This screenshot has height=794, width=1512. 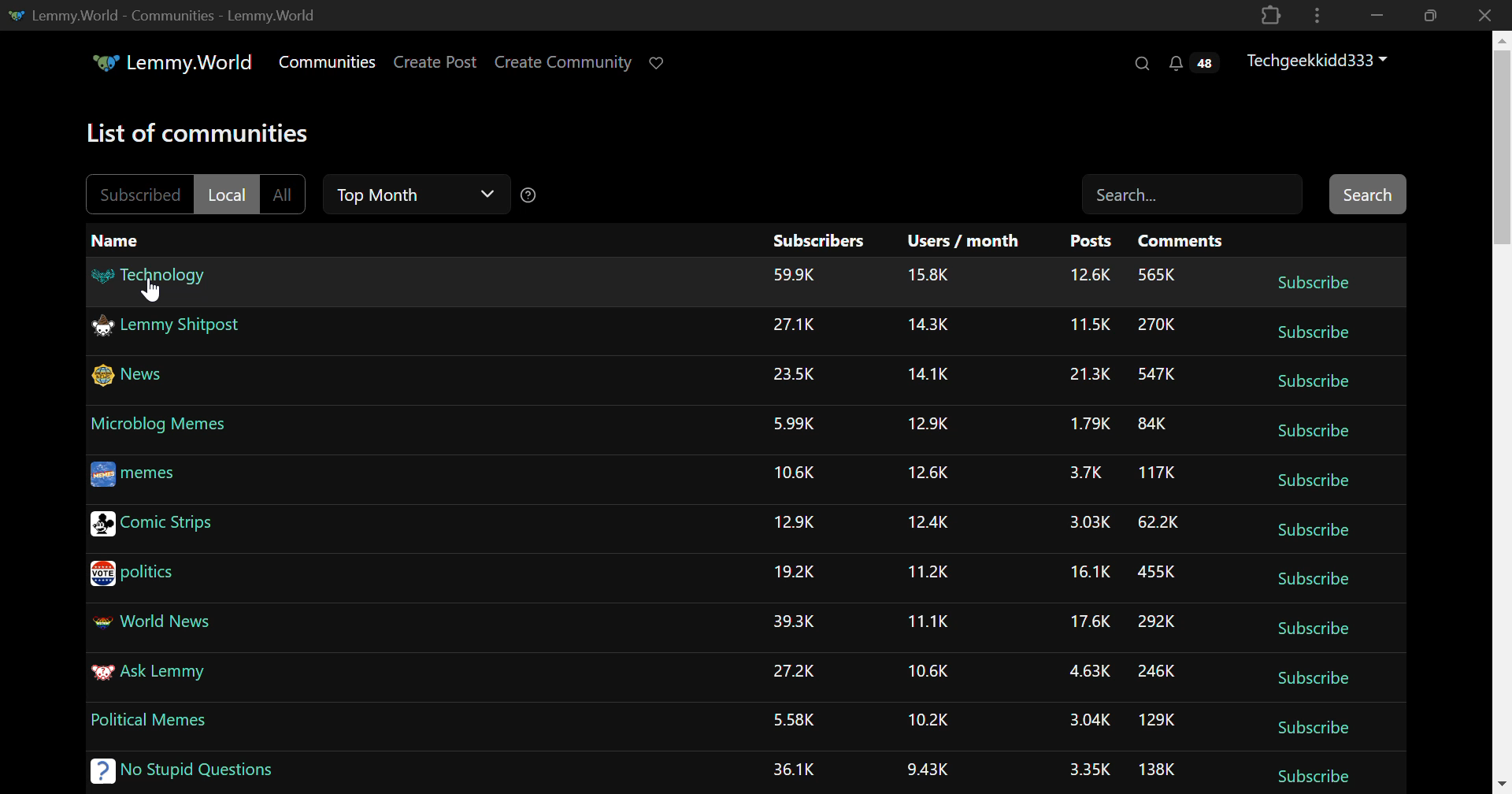 What do you see at coordinates (1310, 731) in the screenshot?
I see `Subscribe` at bounding box center [1310, 731].